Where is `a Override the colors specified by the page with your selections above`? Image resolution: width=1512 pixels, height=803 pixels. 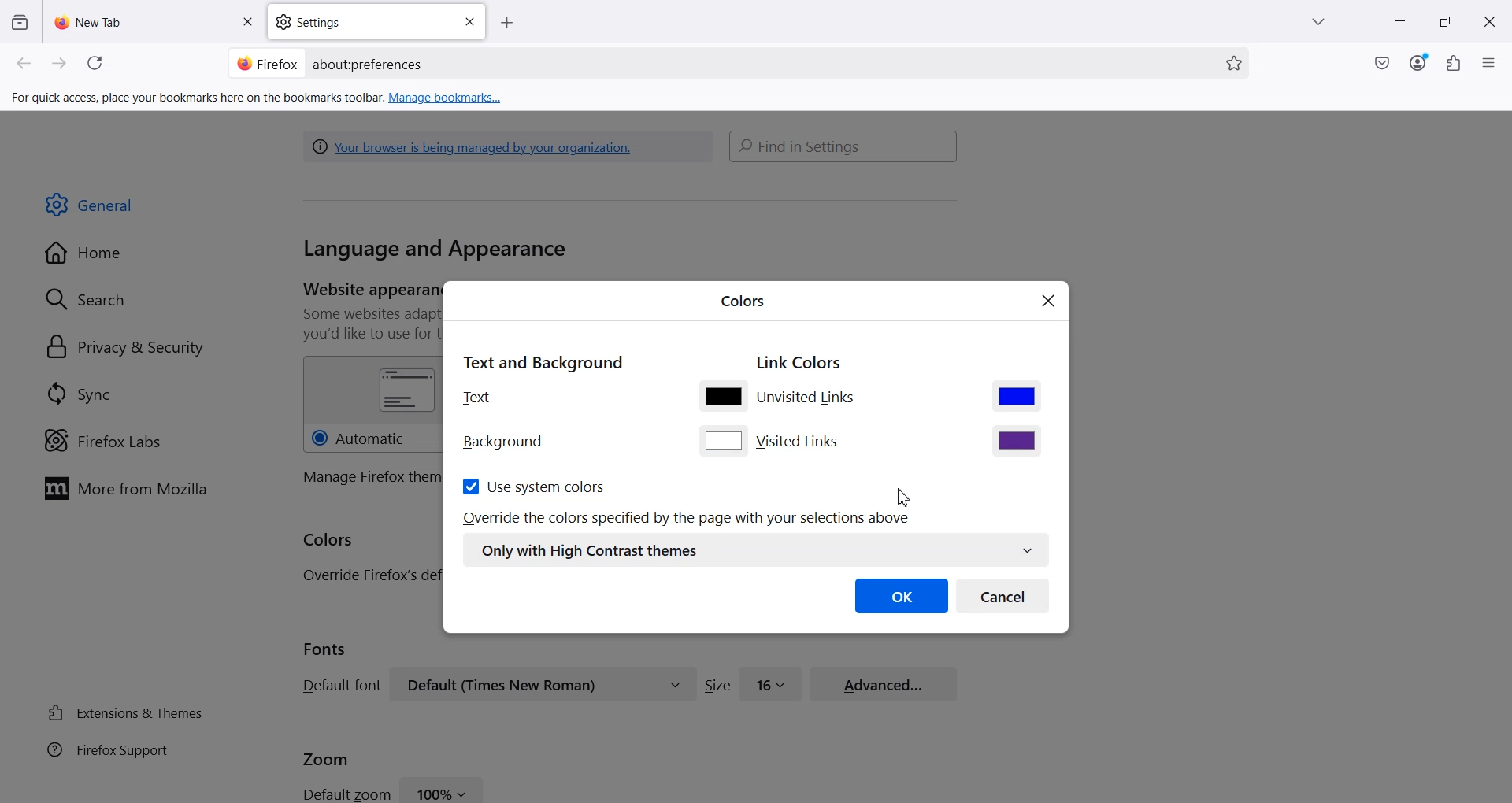
a Override the colors specified by the page with your selections above is located at coordinates (689, 518).